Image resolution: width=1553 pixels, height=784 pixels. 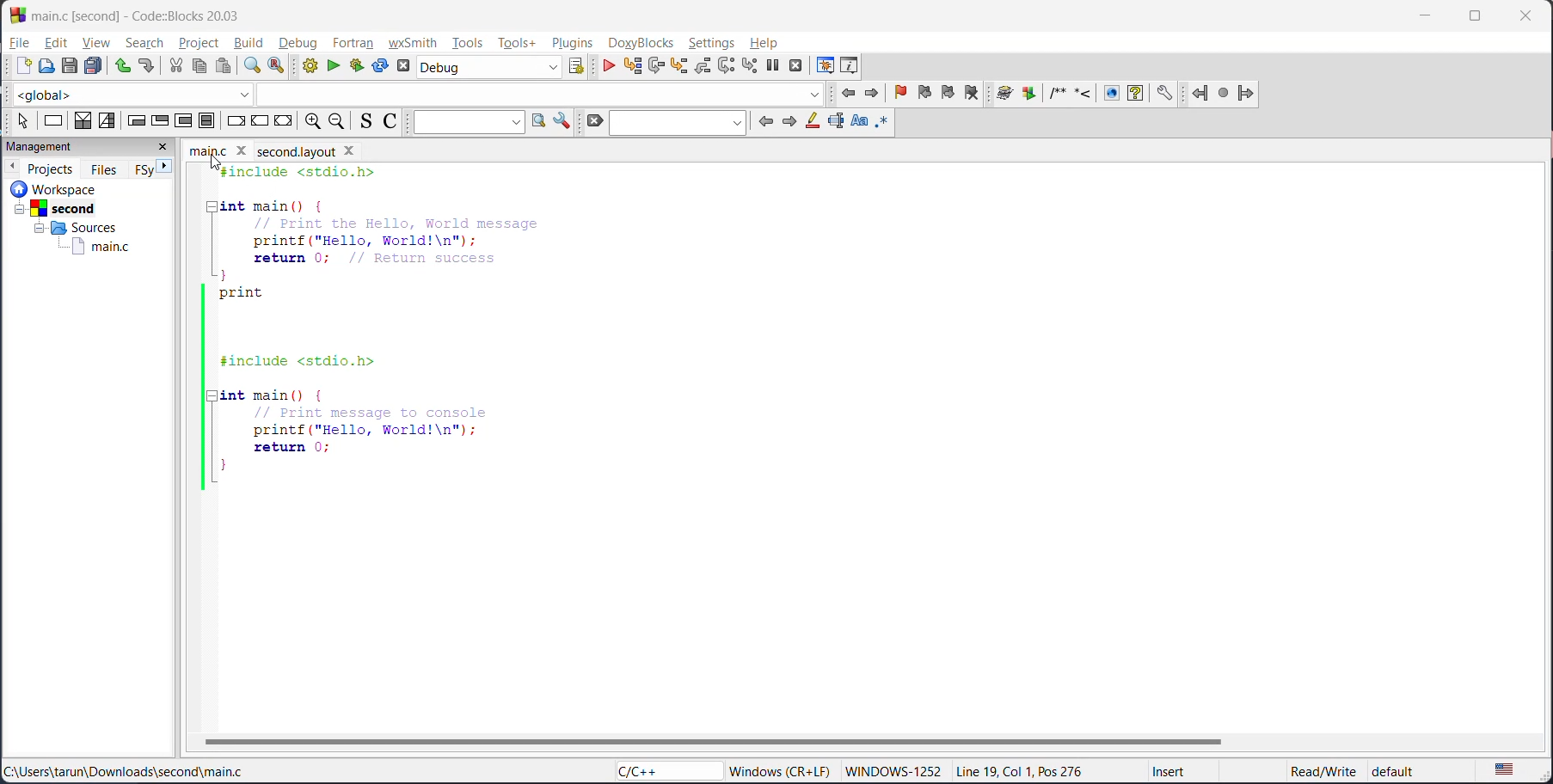 What do you see at coordinates (365, 328) in the screenshot?
I see `code editor` at bounding box center [365, 328].